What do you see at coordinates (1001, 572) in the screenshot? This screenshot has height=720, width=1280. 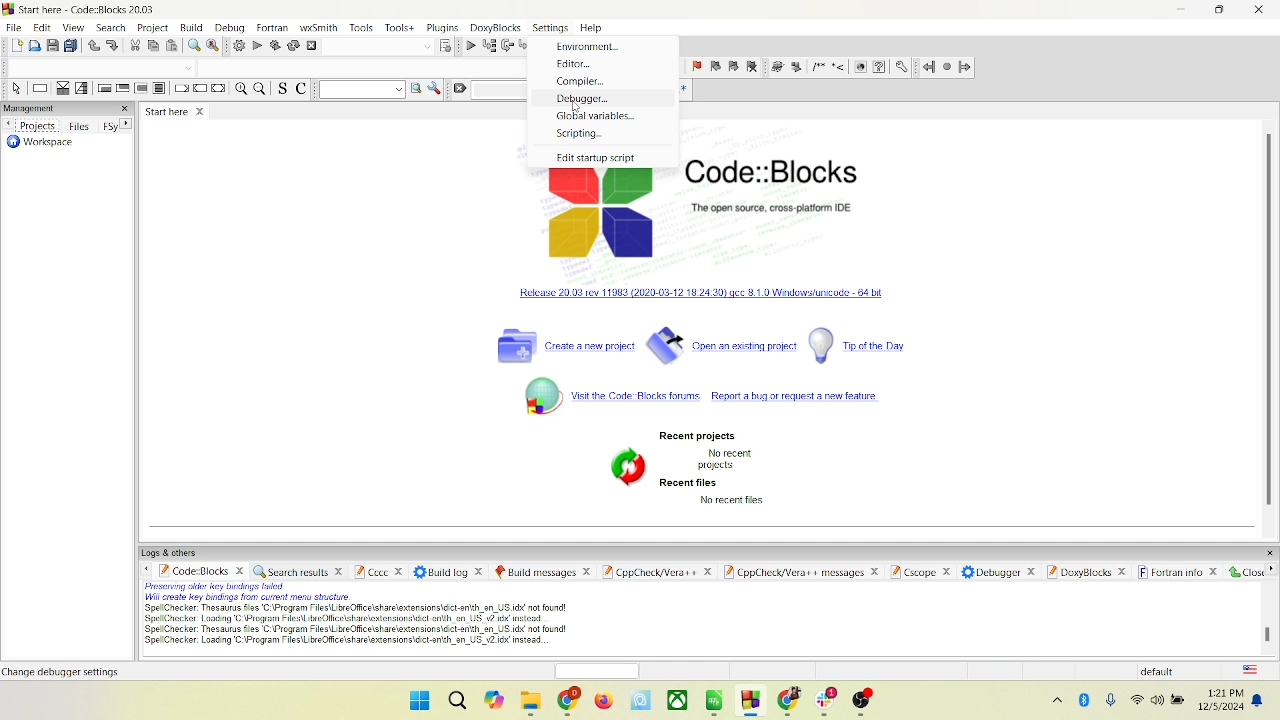 I see `debugger` at bounding box center [1001, 572].